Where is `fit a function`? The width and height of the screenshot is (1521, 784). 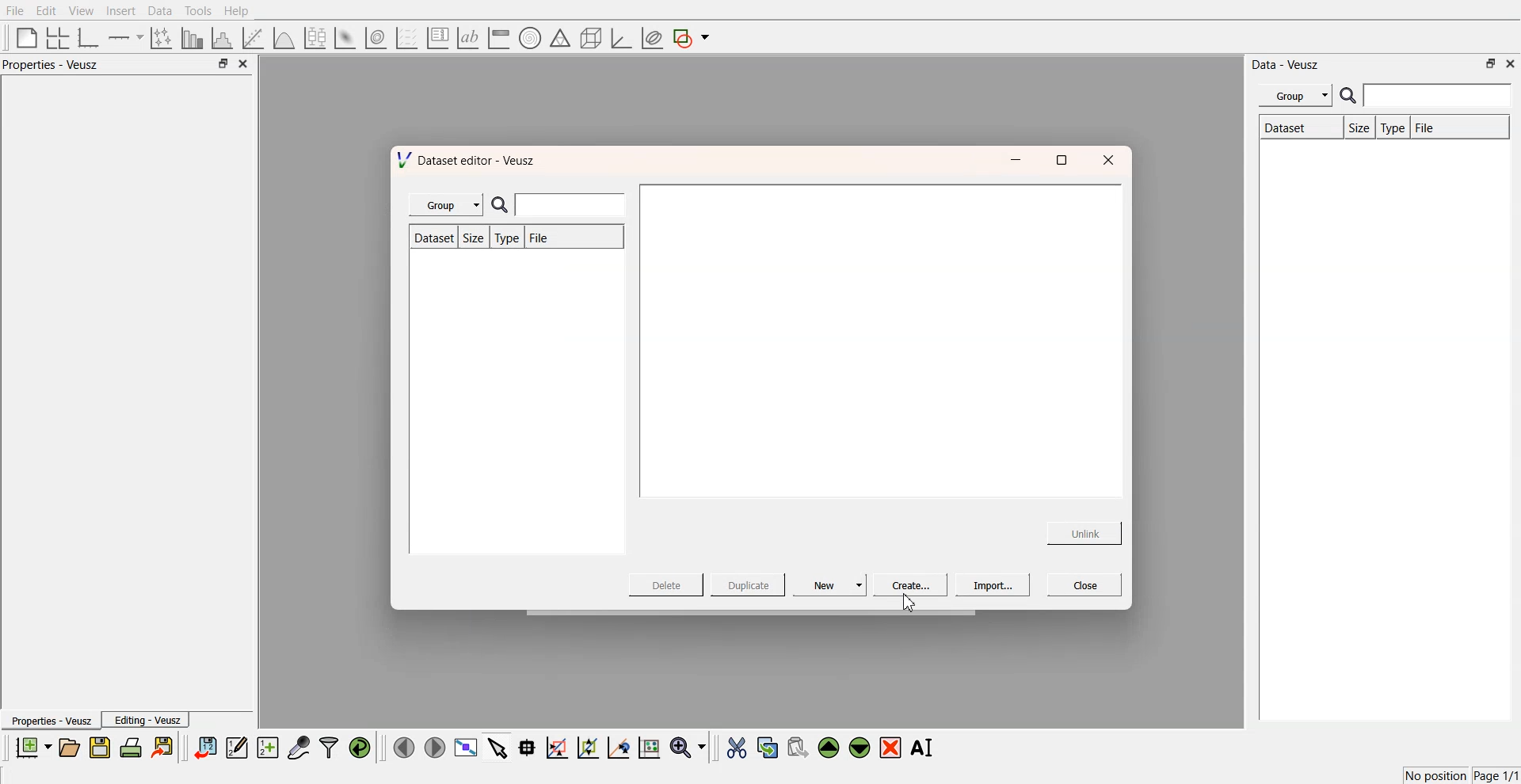
fit a function is located at coordinates (254, 36).